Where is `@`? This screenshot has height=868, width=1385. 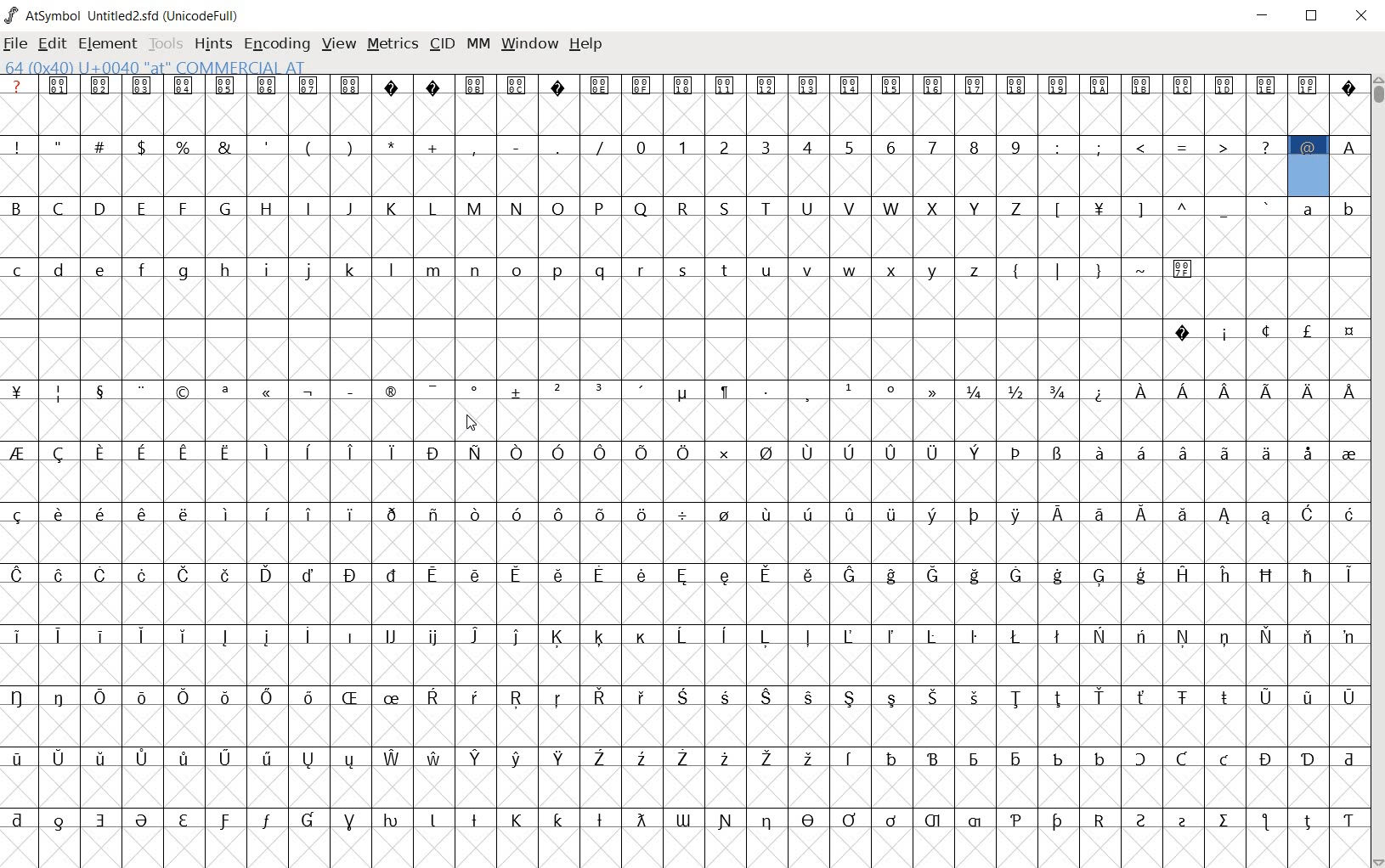
@ is located at coordinates (1310, 145).